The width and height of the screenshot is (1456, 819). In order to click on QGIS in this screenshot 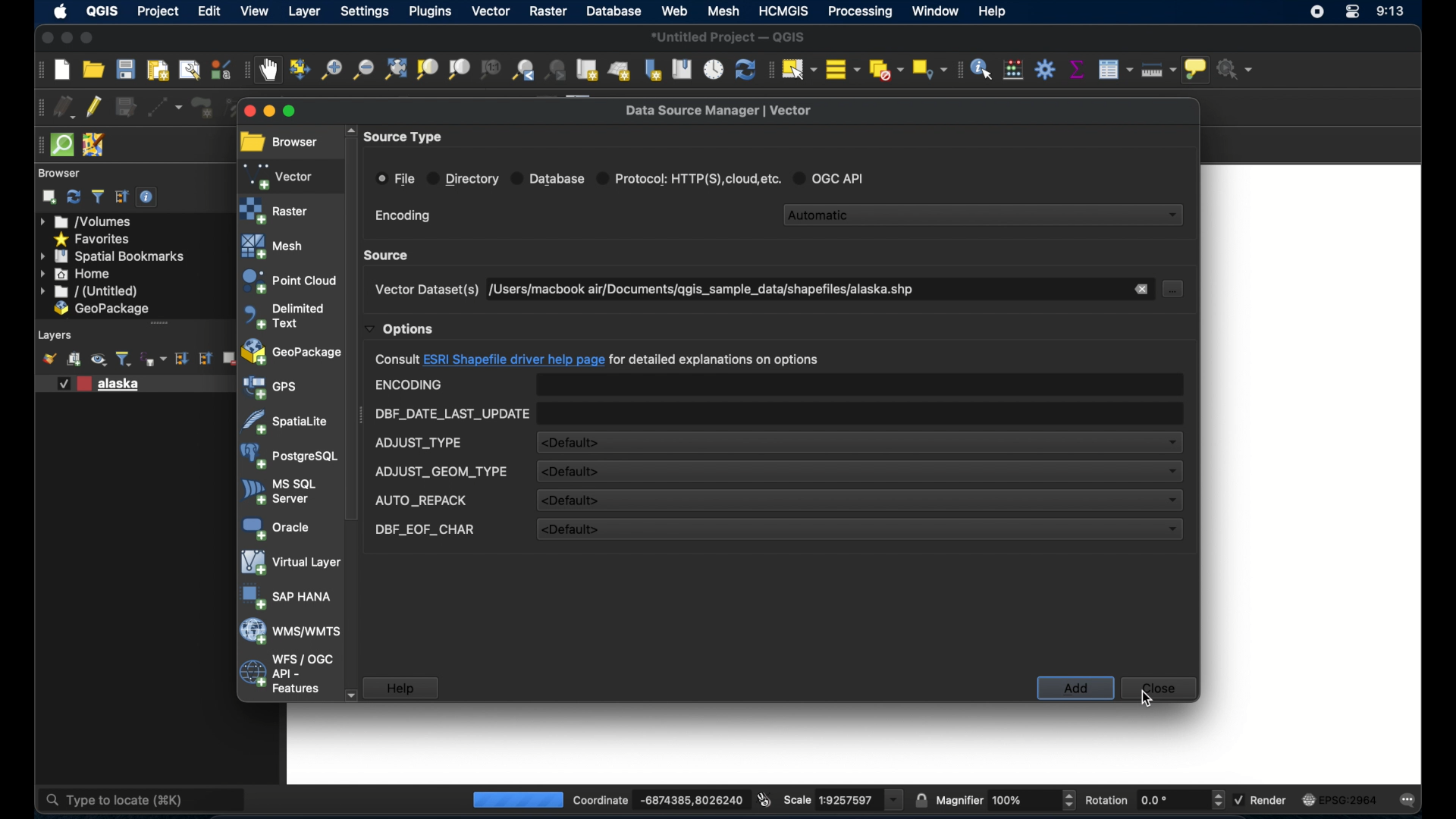, I will do `click(103, 11)`.